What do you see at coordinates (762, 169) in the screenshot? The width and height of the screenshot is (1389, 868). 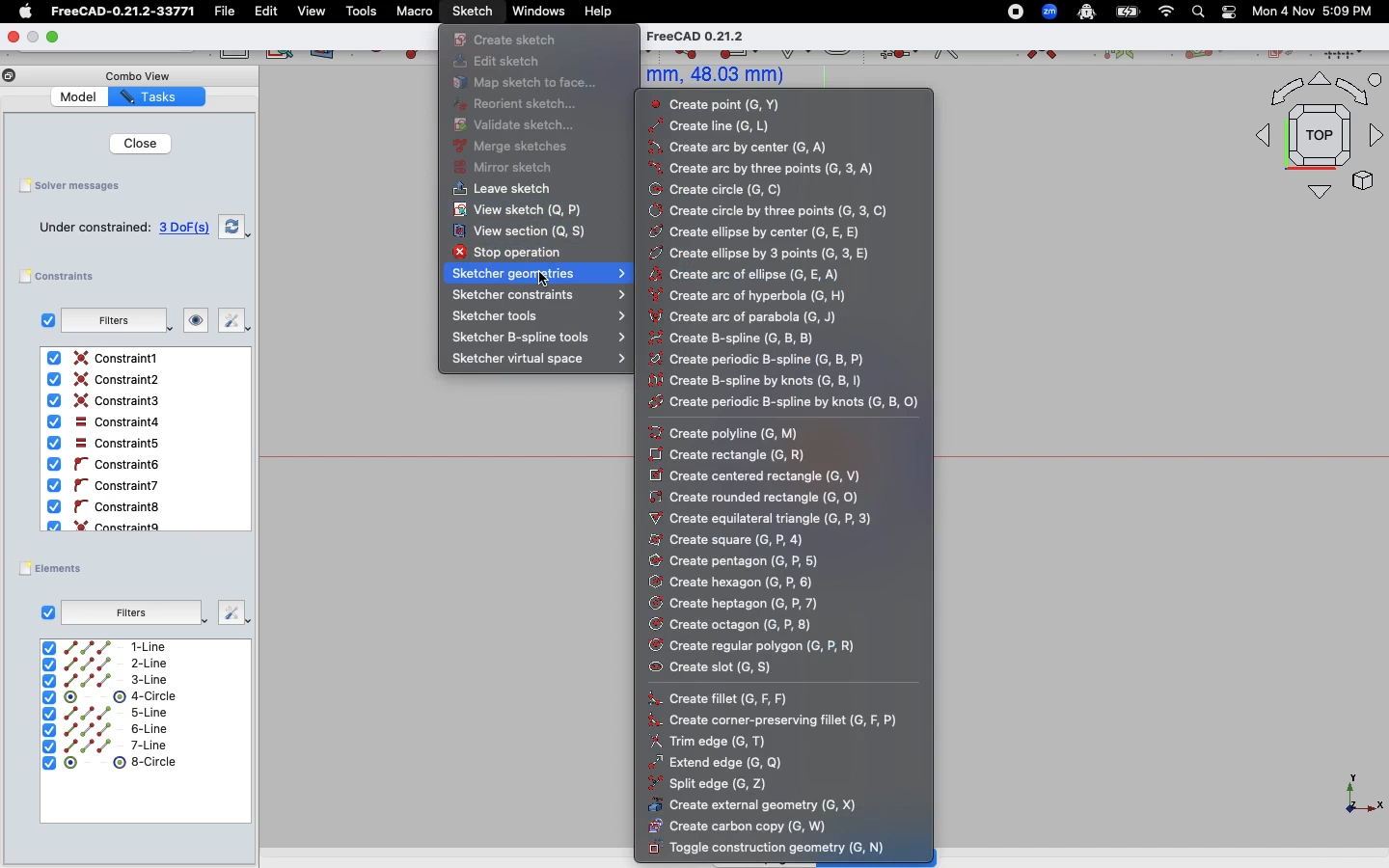 I see `Create arc by three point(G, 3, A))` at bounding box center [762, 169].